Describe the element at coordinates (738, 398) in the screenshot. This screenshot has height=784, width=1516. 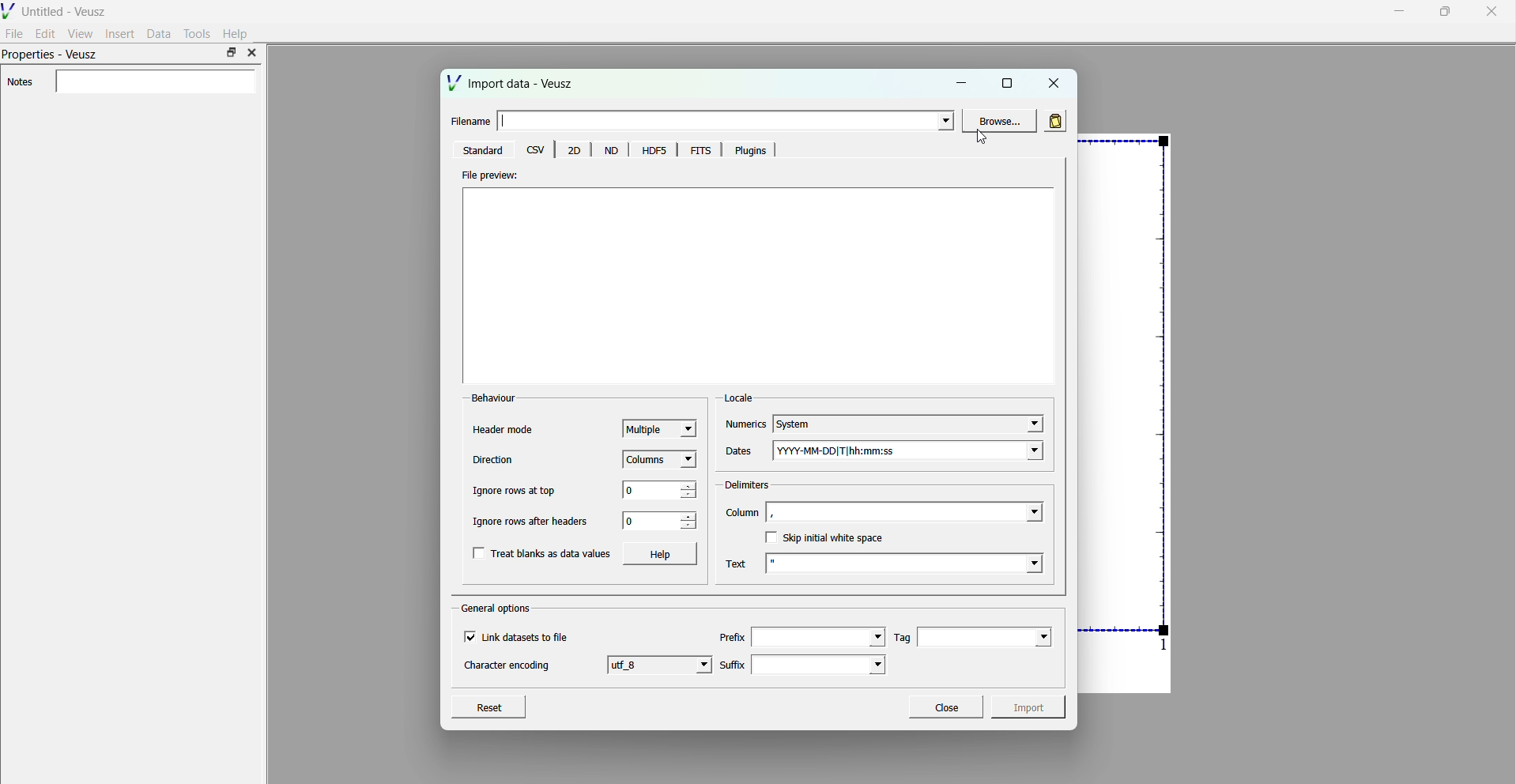
I see `Locale` at that location.